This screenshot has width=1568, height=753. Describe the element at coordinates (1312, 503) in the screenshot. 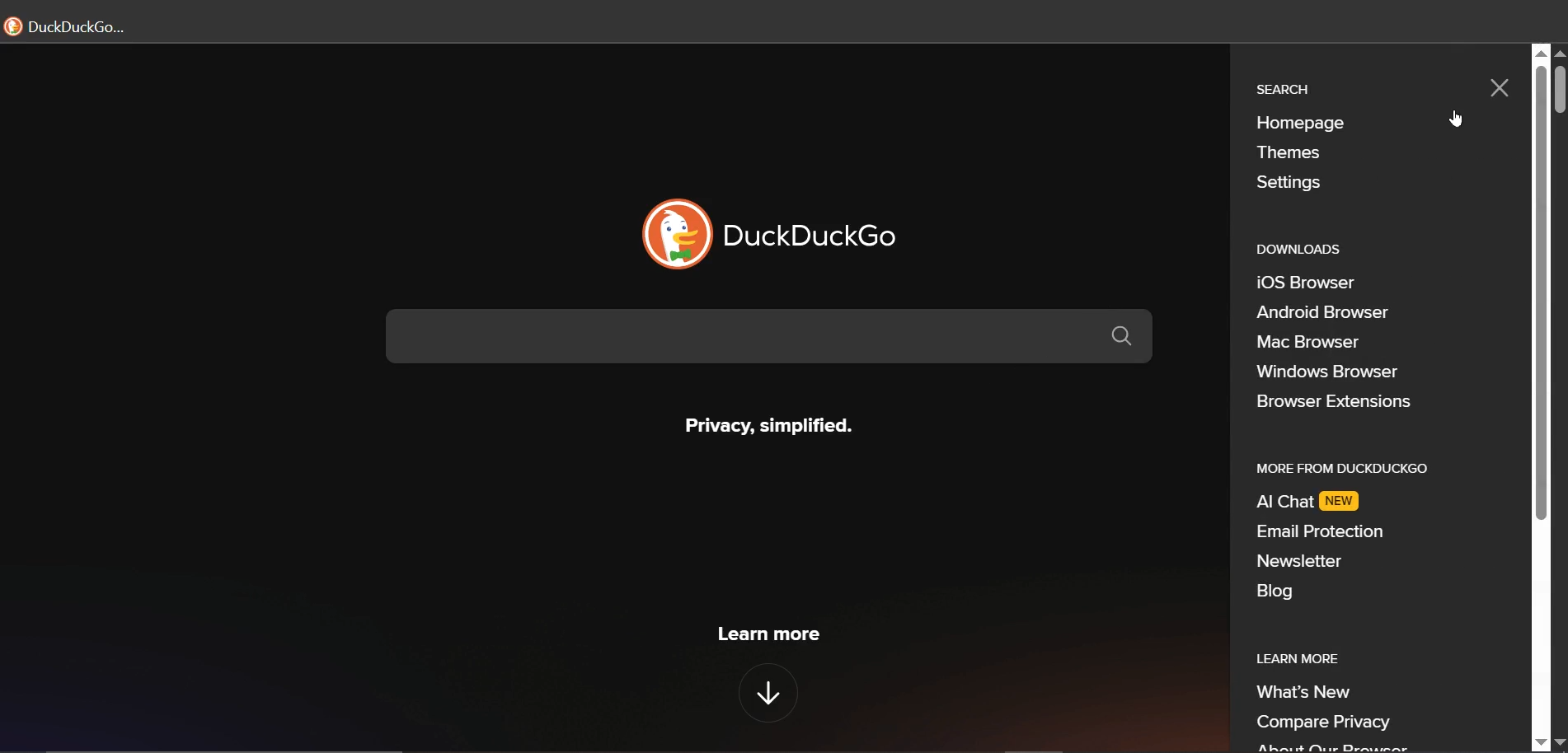

I see `Al Chat  NEW` at that location.